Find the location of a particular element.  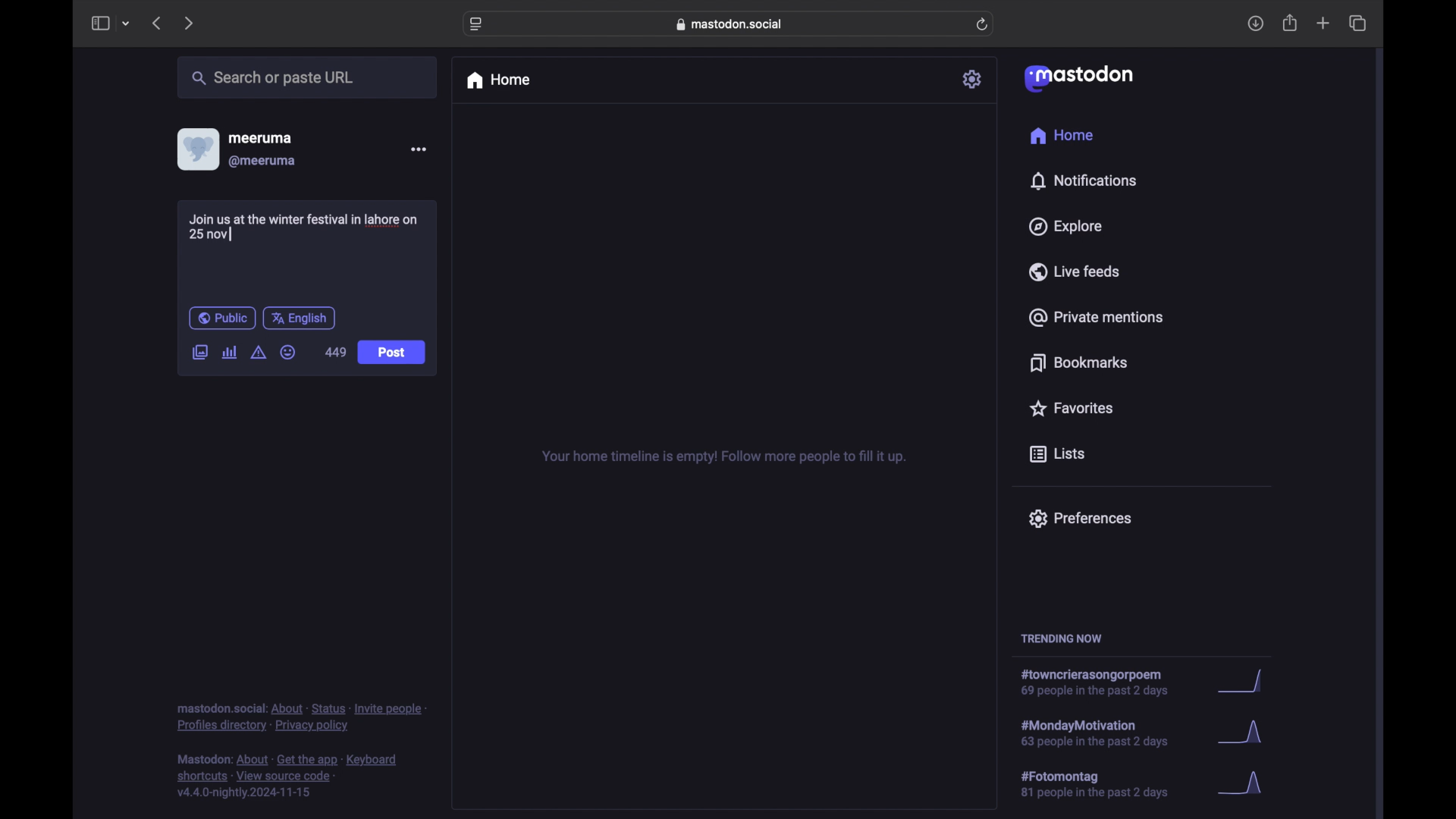

@meeruma is located at coordinates (262, 162).